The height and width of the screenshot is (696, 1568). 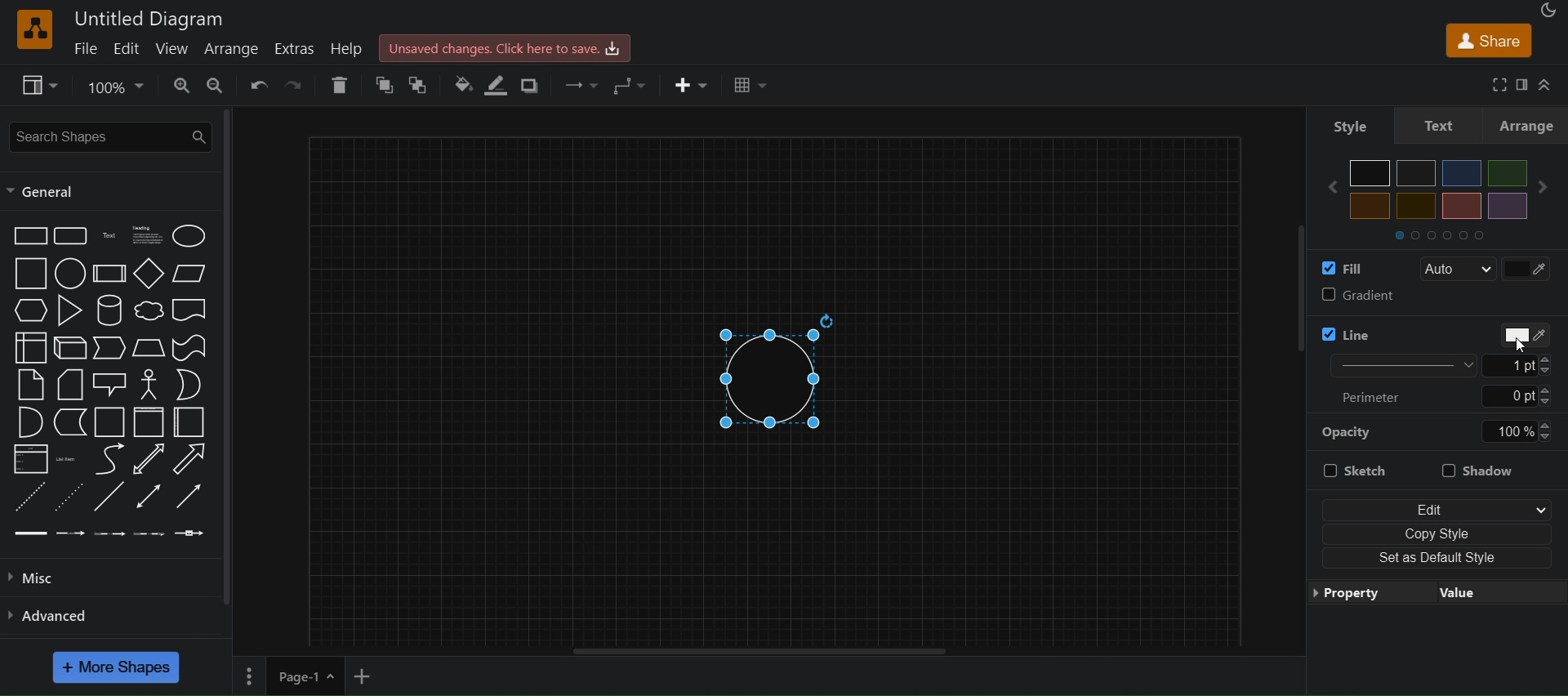 I want to click on step, so click(x=111, y=349).